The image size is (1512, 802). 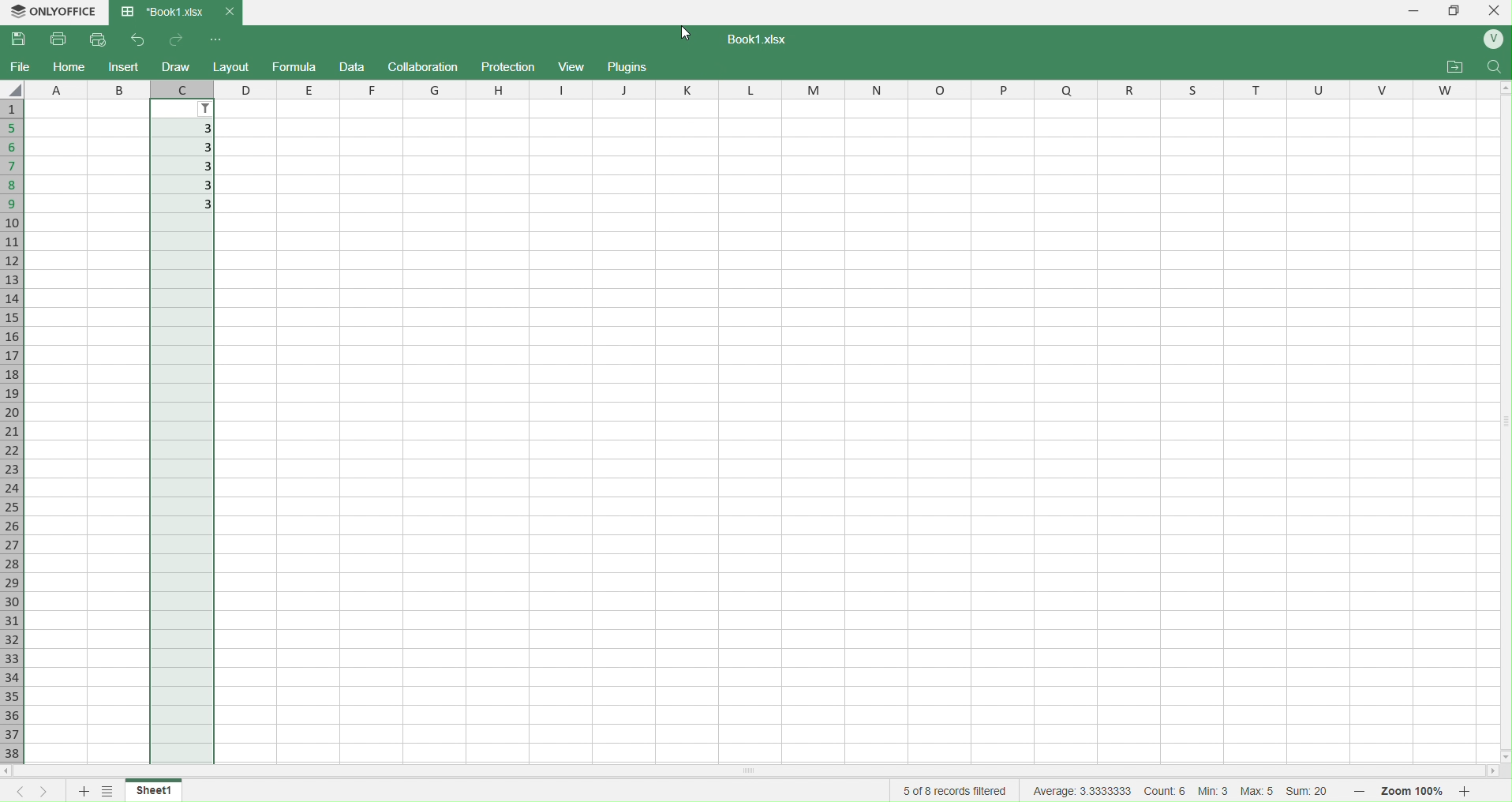 What do you see at coordinates (174, 13) in the screenshot?
I see `Book` at bounding box center [174, 13].